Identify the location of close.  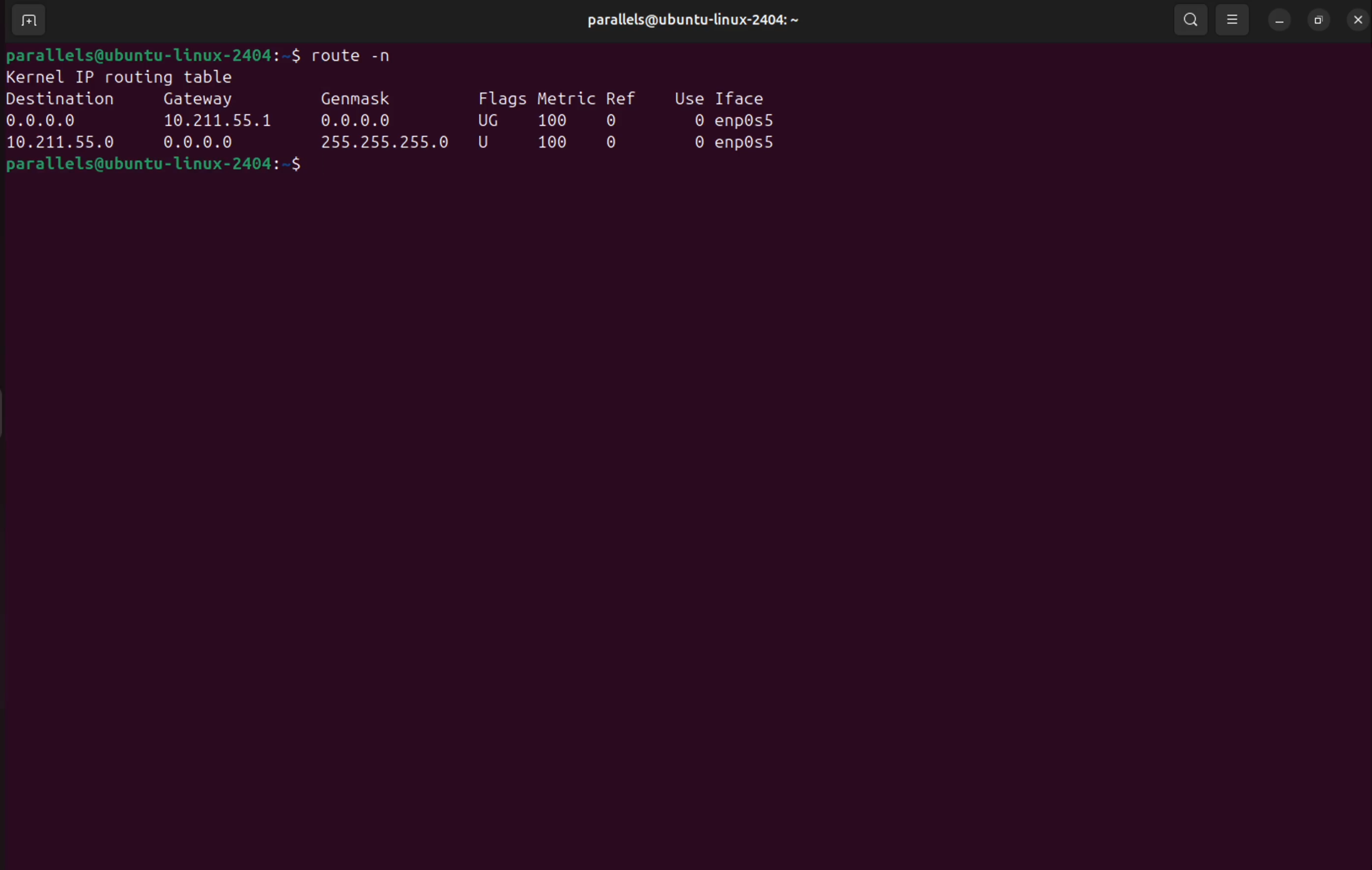
(1357, 19).